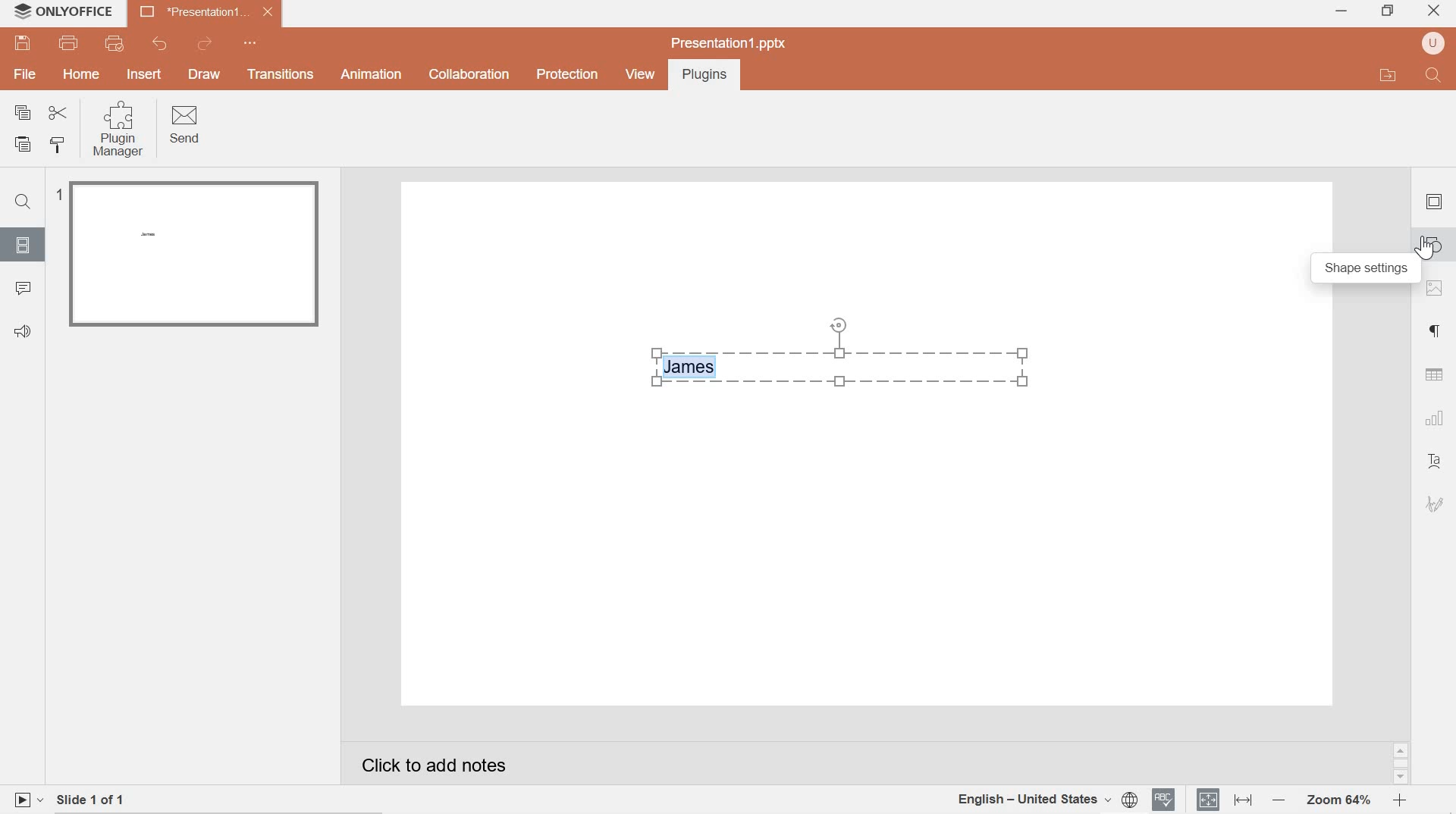  Describe the element at coordinates (121, 130) in the screenshot. I see `Plugin Manager` at that location.